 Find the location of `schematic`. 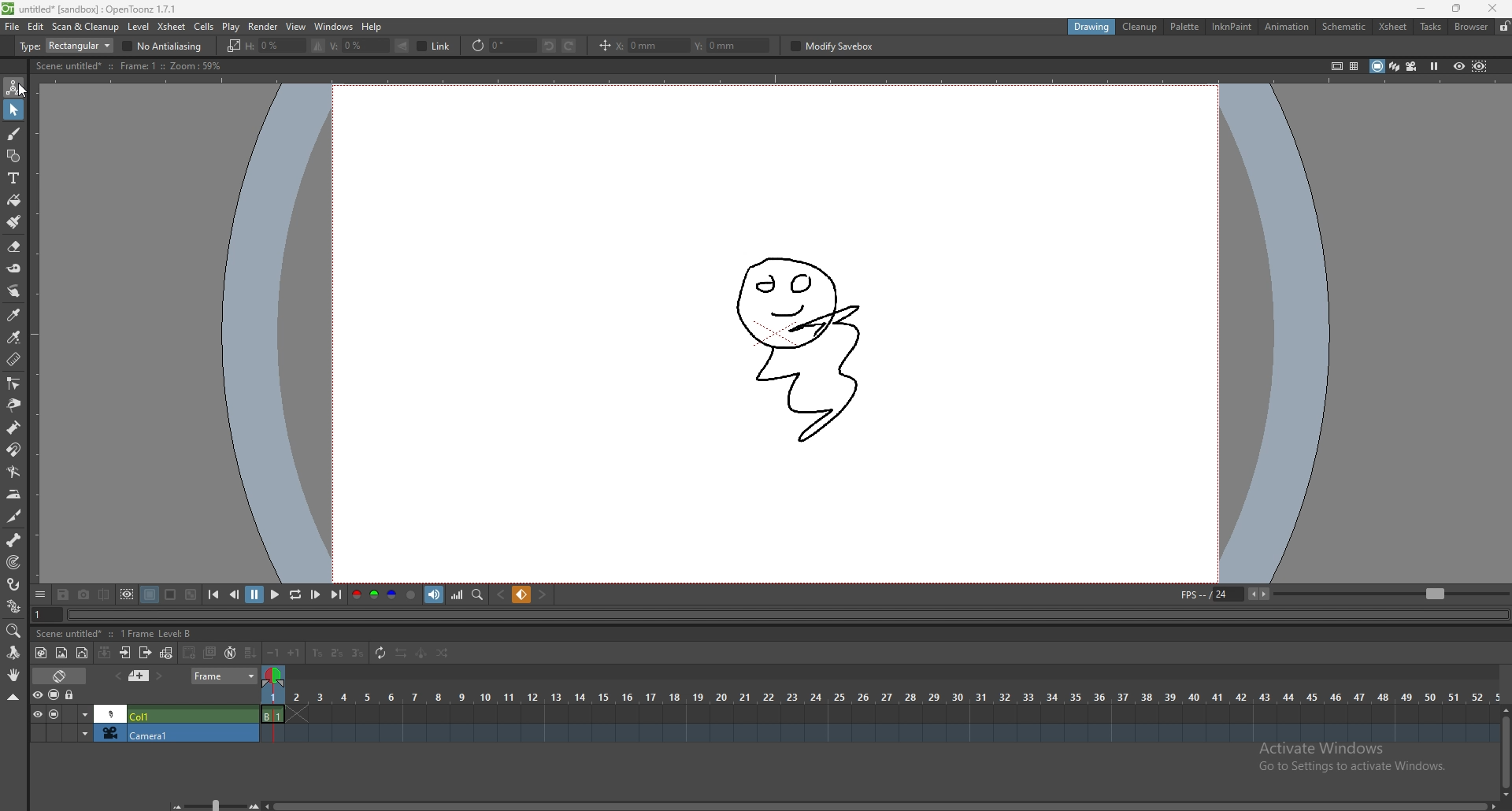

schematic is located at coordinates (1344, 26).